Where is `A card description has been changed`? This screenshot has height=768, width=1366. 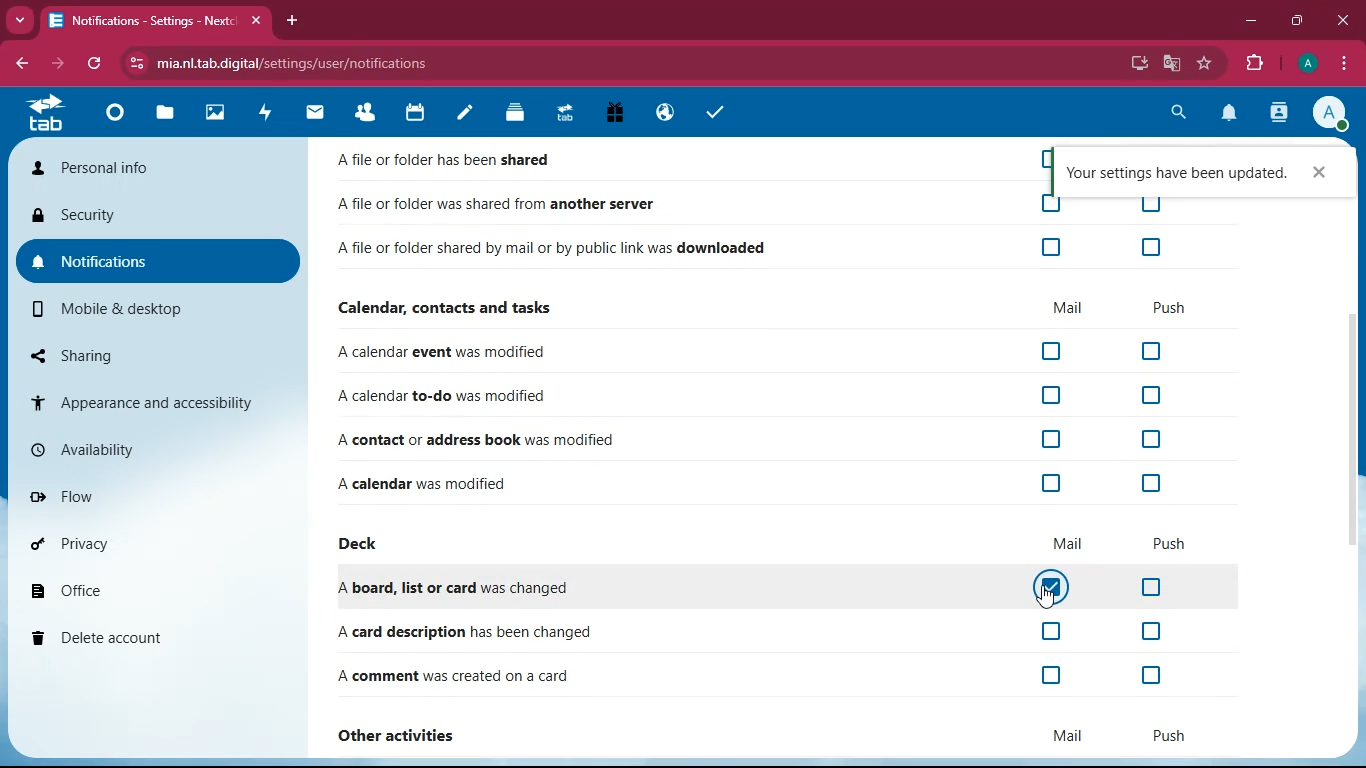 A card description has been changed is located at coordinates (463, 630).